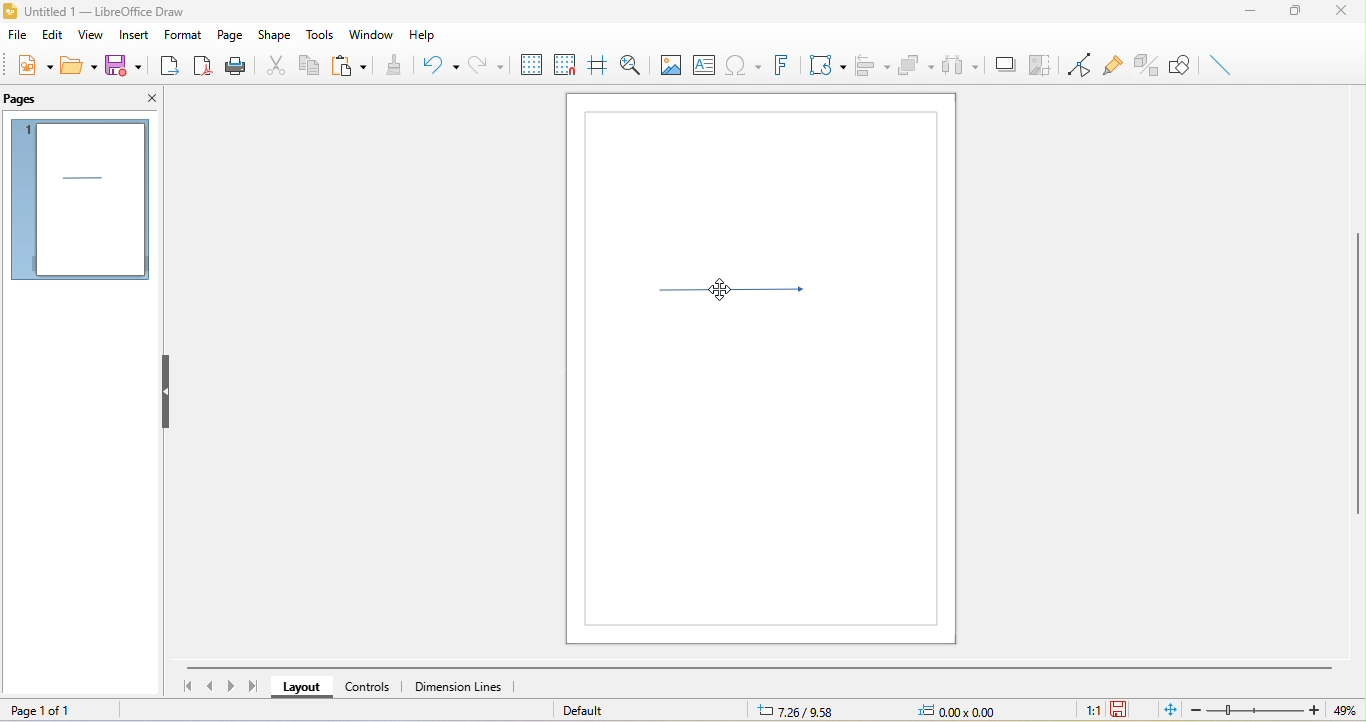 The height and width of the screenshot is (722, 1366). What do you see at coordinates (298, 688) in the screenshot?
I see `layout` at bounding box center [298, 688].